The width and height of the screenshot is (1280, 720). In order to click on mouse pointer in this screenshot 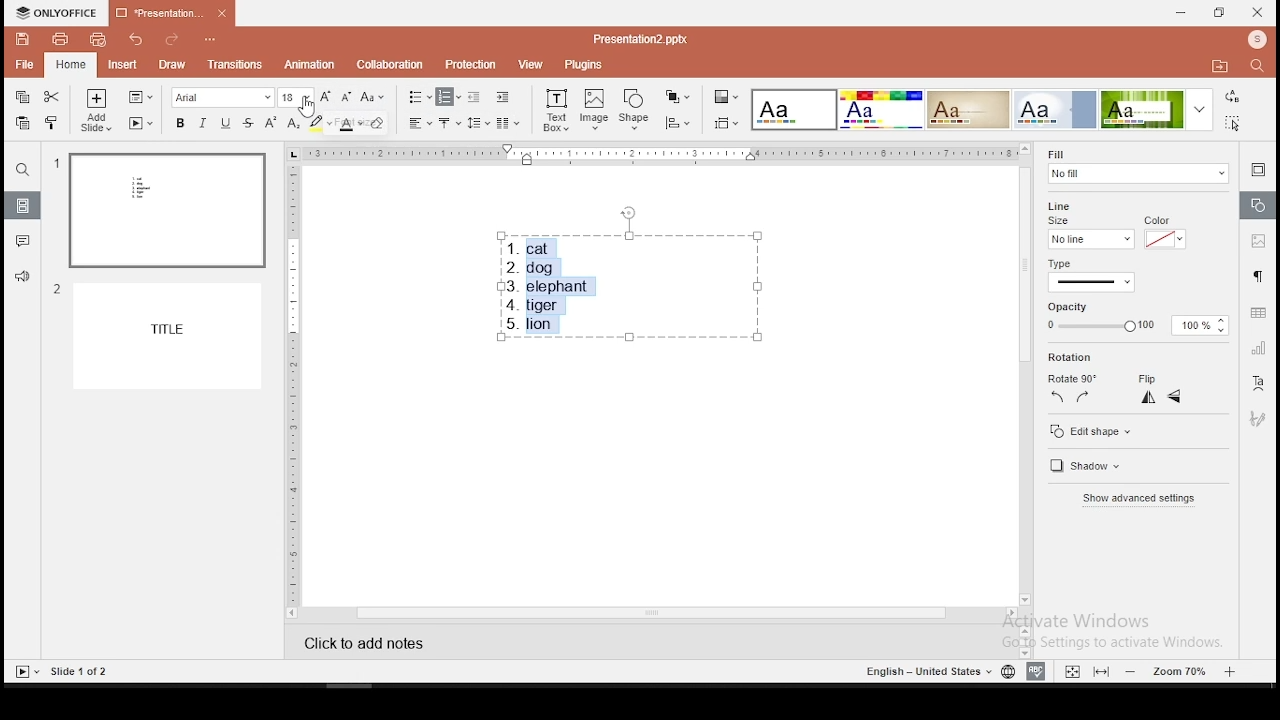, I will do `click(308, 107)`.